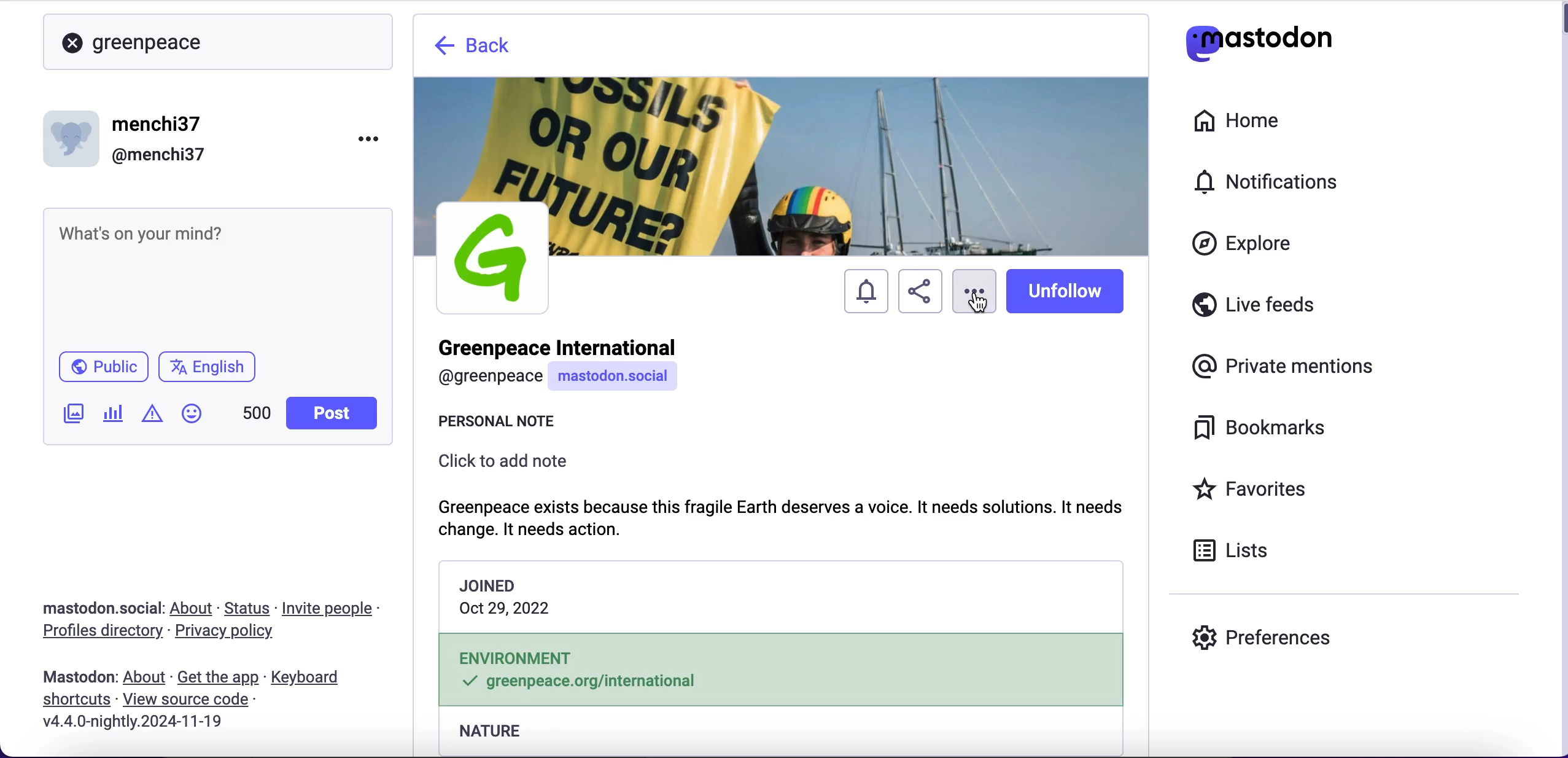 Image resolution: width=1568 pixels, height=758 pixels. I want to click on status, so click(249, 608).